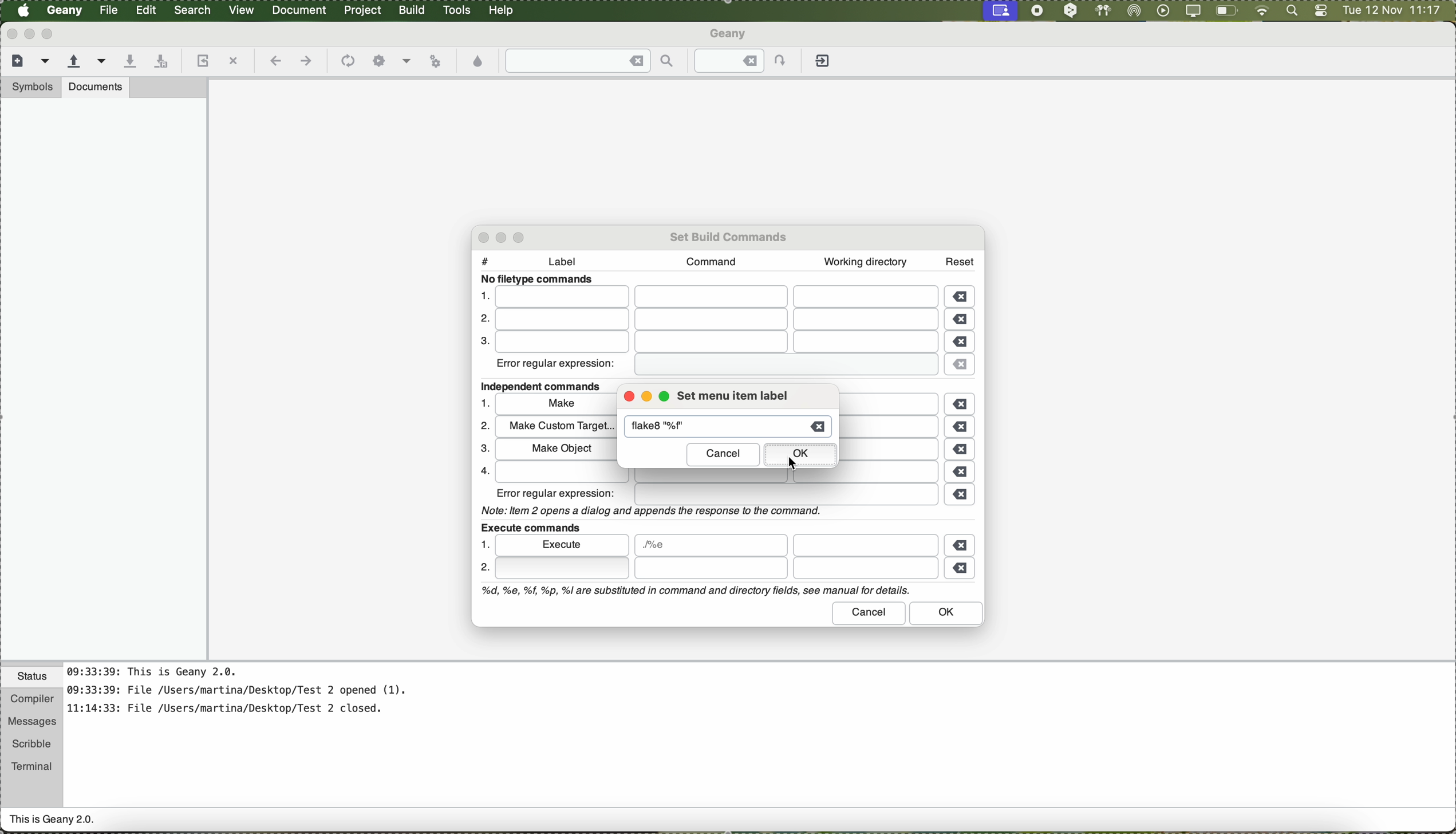 The width and height of the screenshot is (1456, 834). What do you see at coordinates (486, 403) in the screenshot?
I see `1` at bounding box center [486, 403].